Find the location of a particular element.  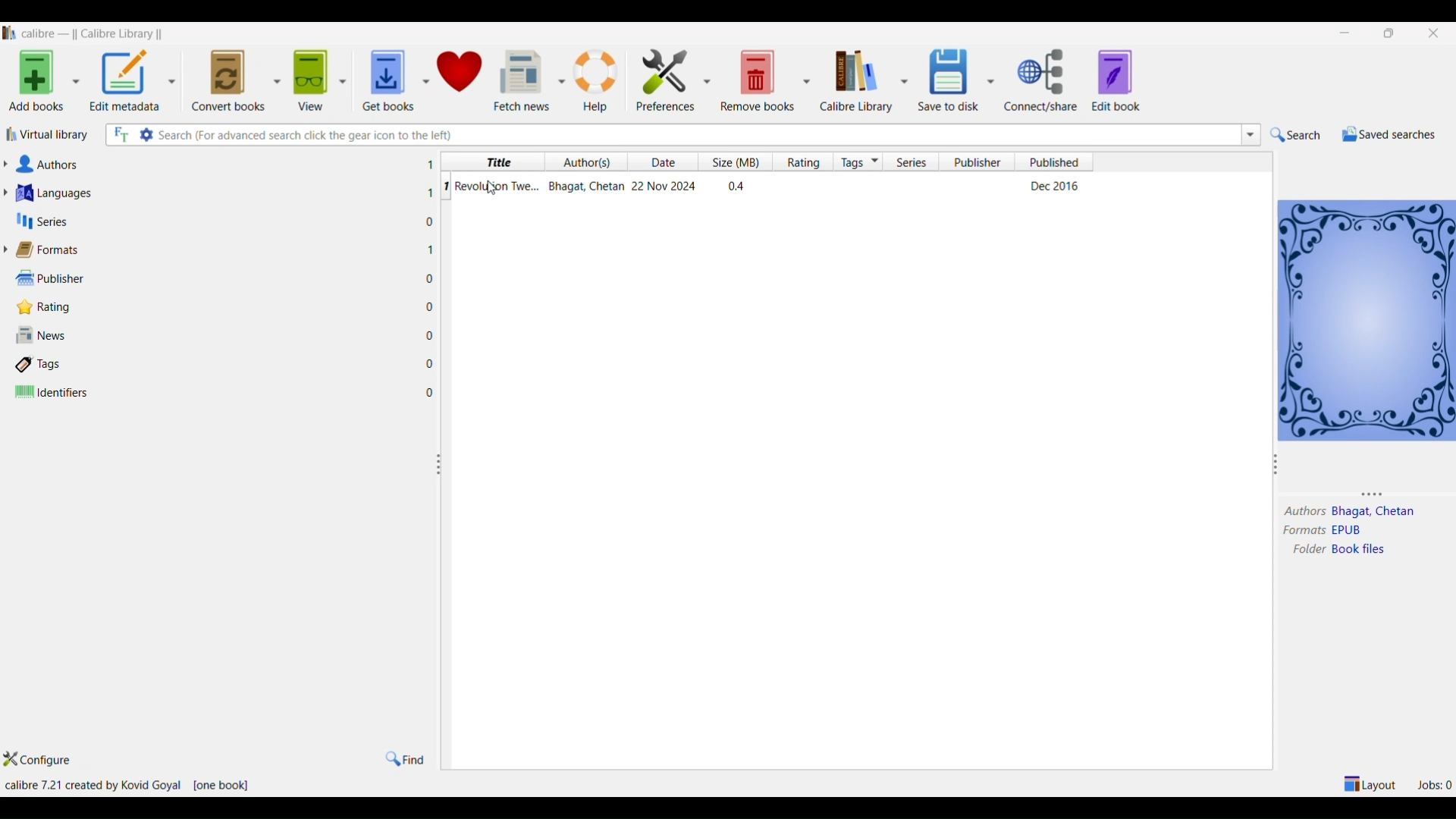

jobs is located at coordinates (1434, 783).